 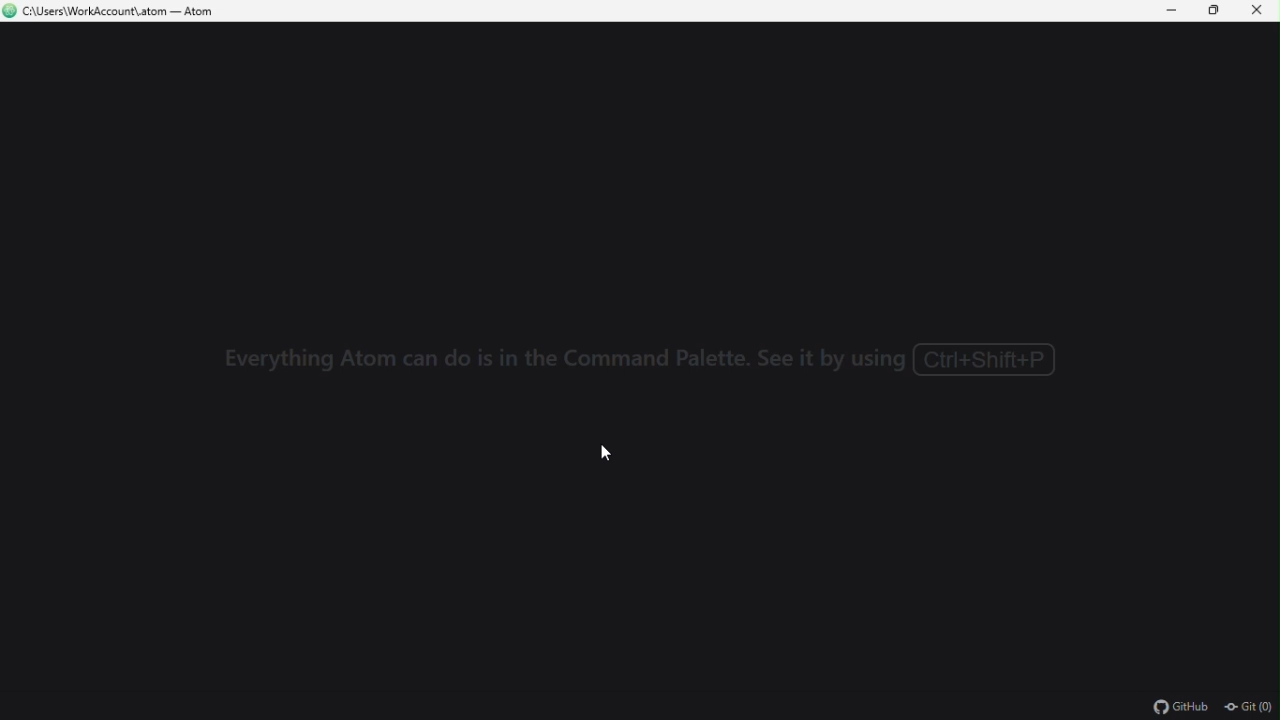 What do you see at coordinates (611, 455) in the screenshot?
I see `cursor` at bounding box center [611, 455].